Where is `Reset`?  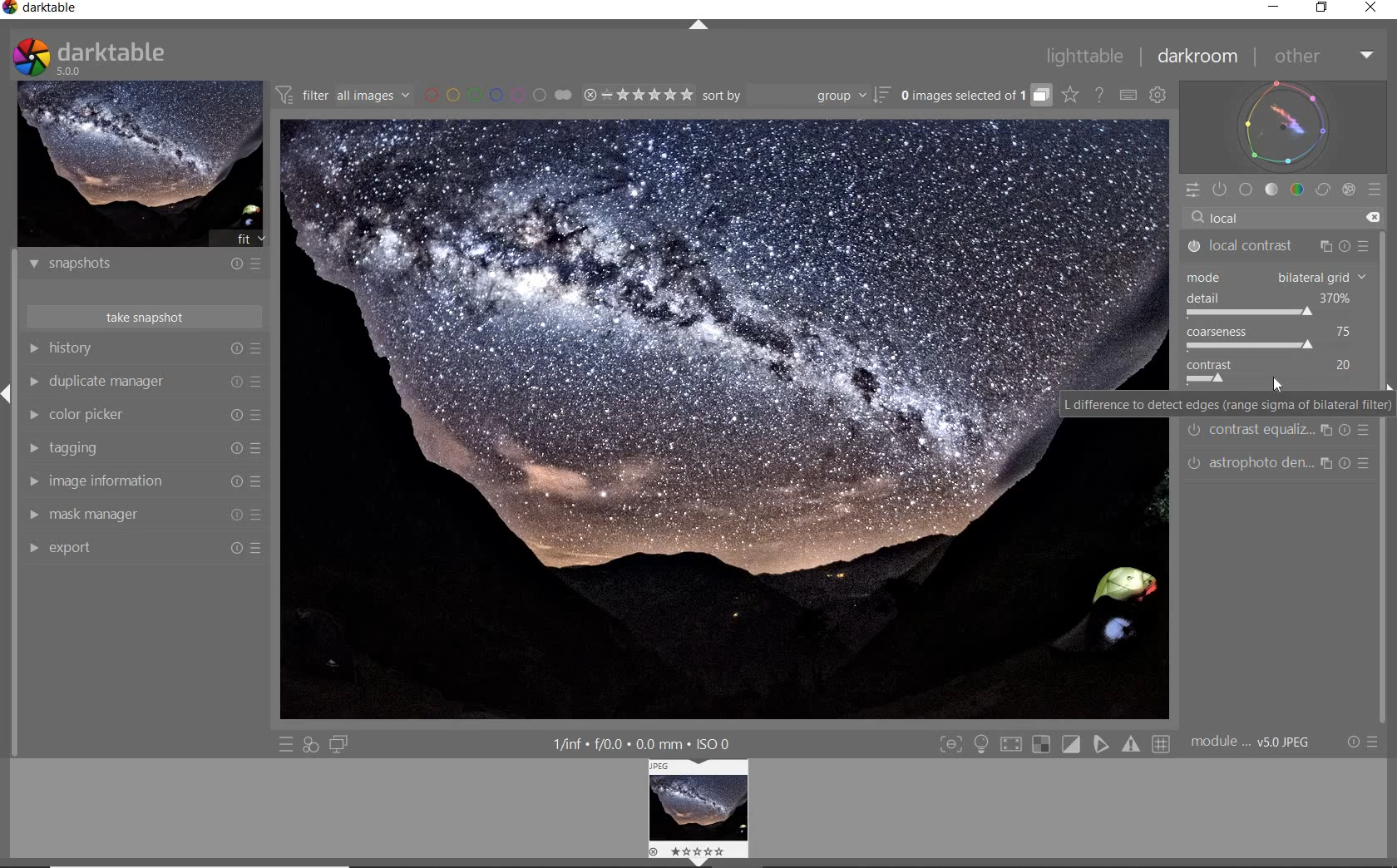 Reset is located at coordinates (234, 448).